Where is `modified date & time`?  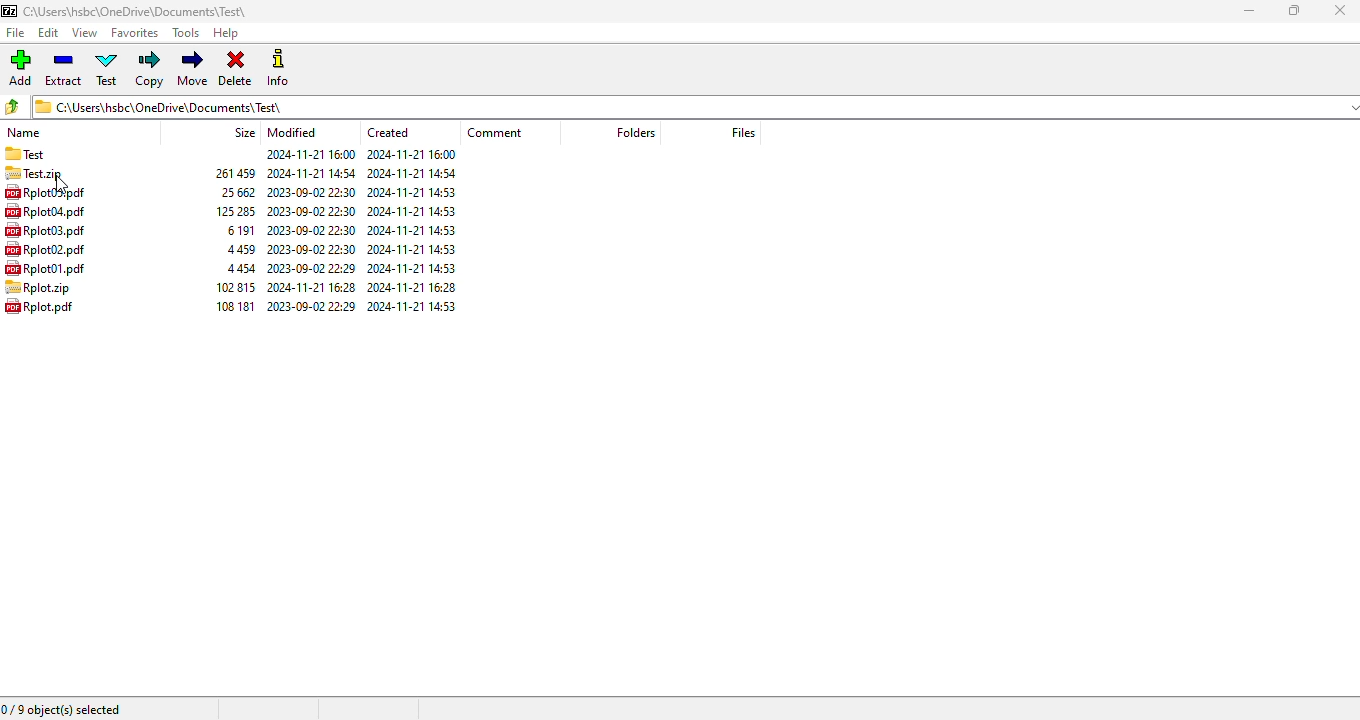
modified date & time is located at coordinates (311, 268).